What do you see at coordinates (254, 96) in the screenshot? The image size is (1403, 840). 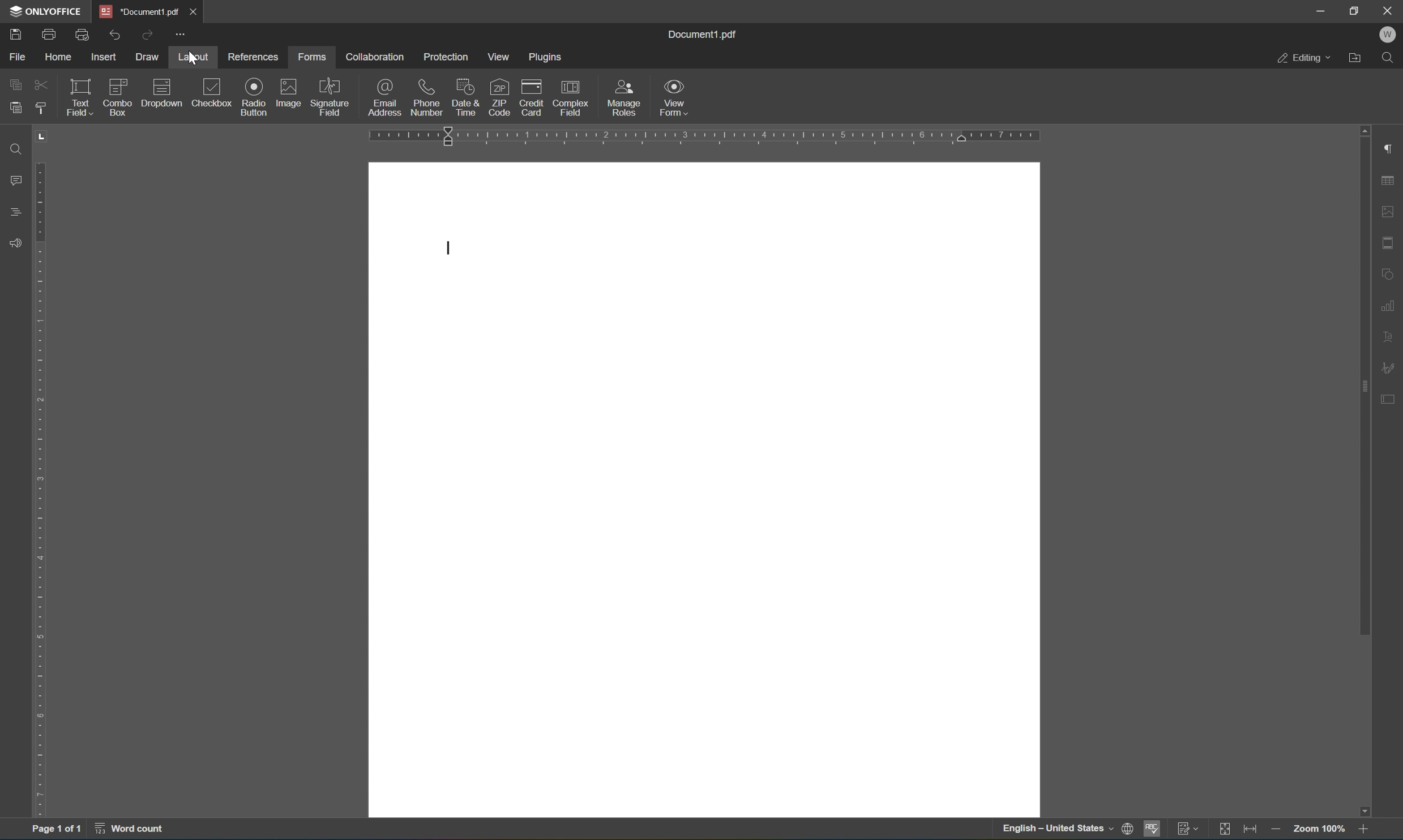 I see `radio button` at bounding box center [254, 96].